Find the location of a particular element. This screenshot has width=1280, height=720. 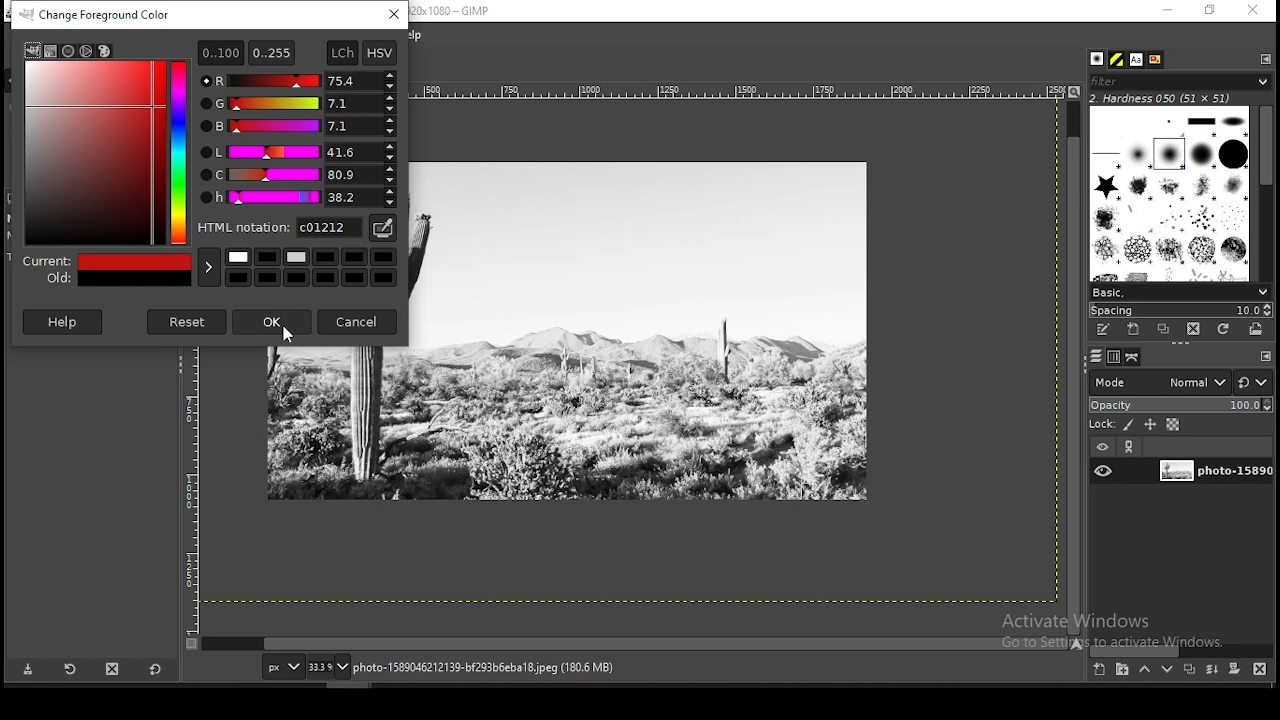

preview is located at coordinates (105, 269).